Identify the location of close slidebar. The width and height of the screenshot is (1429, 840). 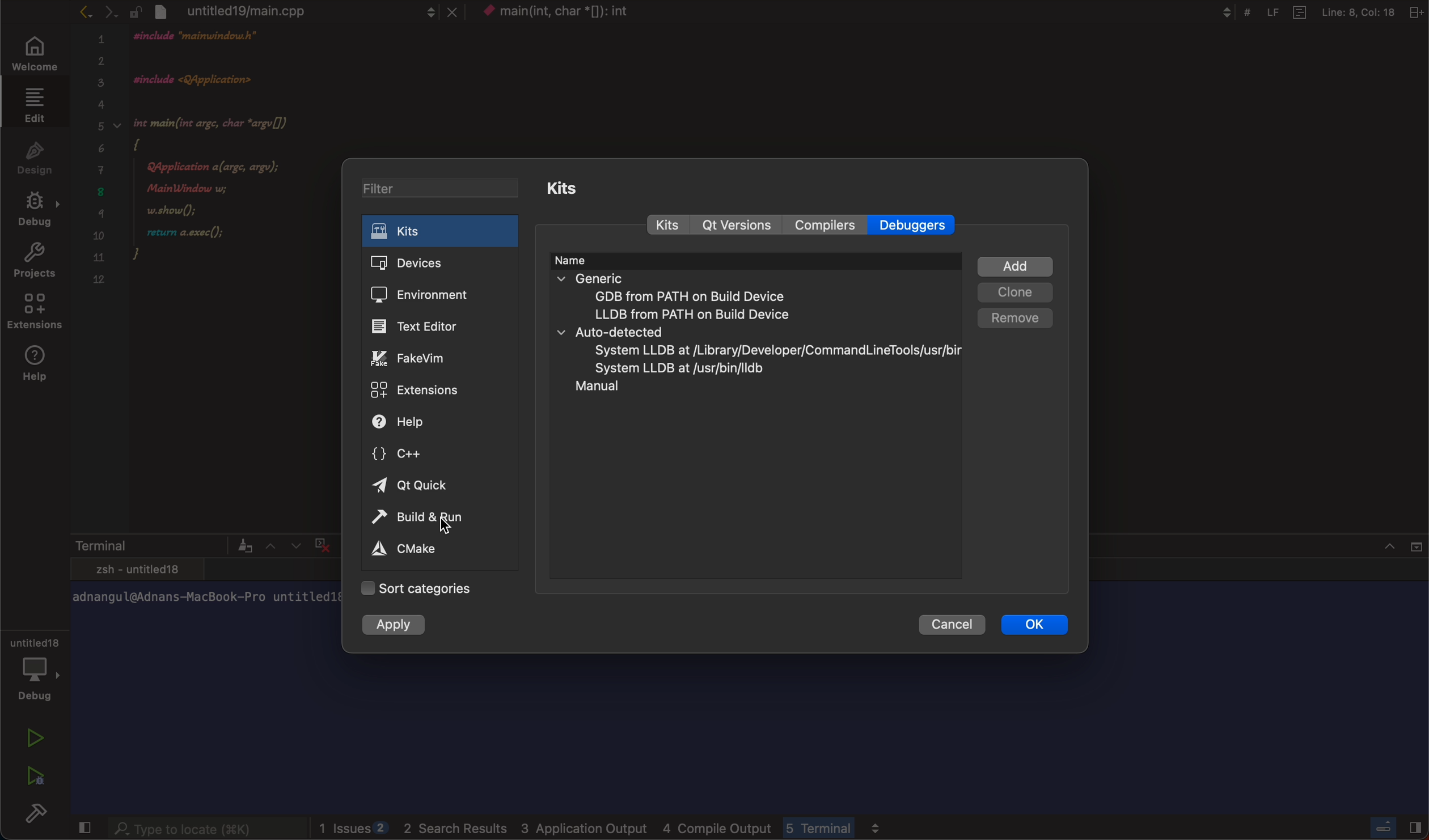
(80, 827).